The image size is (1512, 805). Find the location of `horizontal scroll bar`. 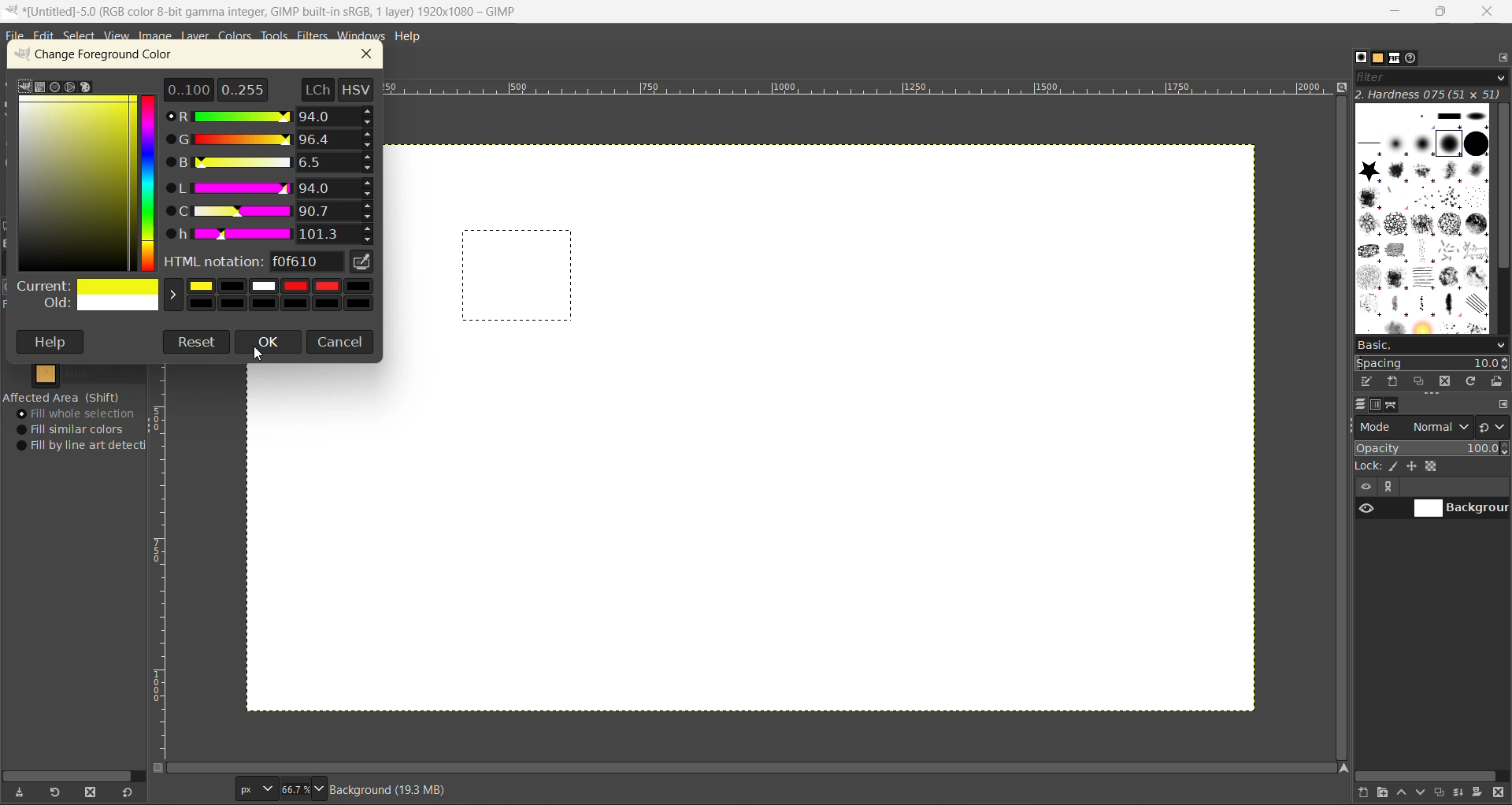

horizontal scroll bar is located at coordinates (1428, 775).